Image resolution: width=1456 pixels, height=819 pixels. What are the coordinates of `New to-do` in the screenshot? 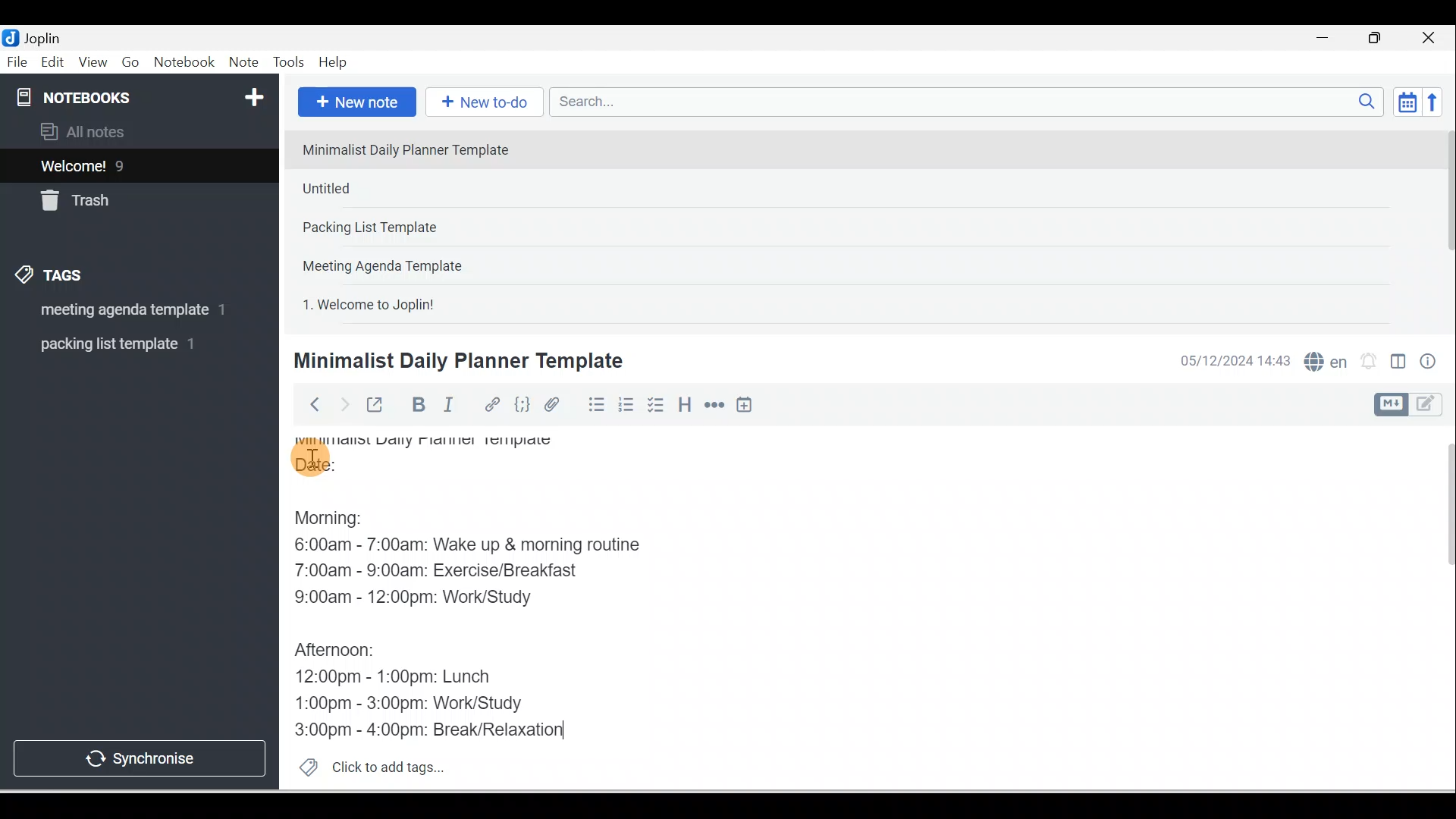 It's located at (481, 103).